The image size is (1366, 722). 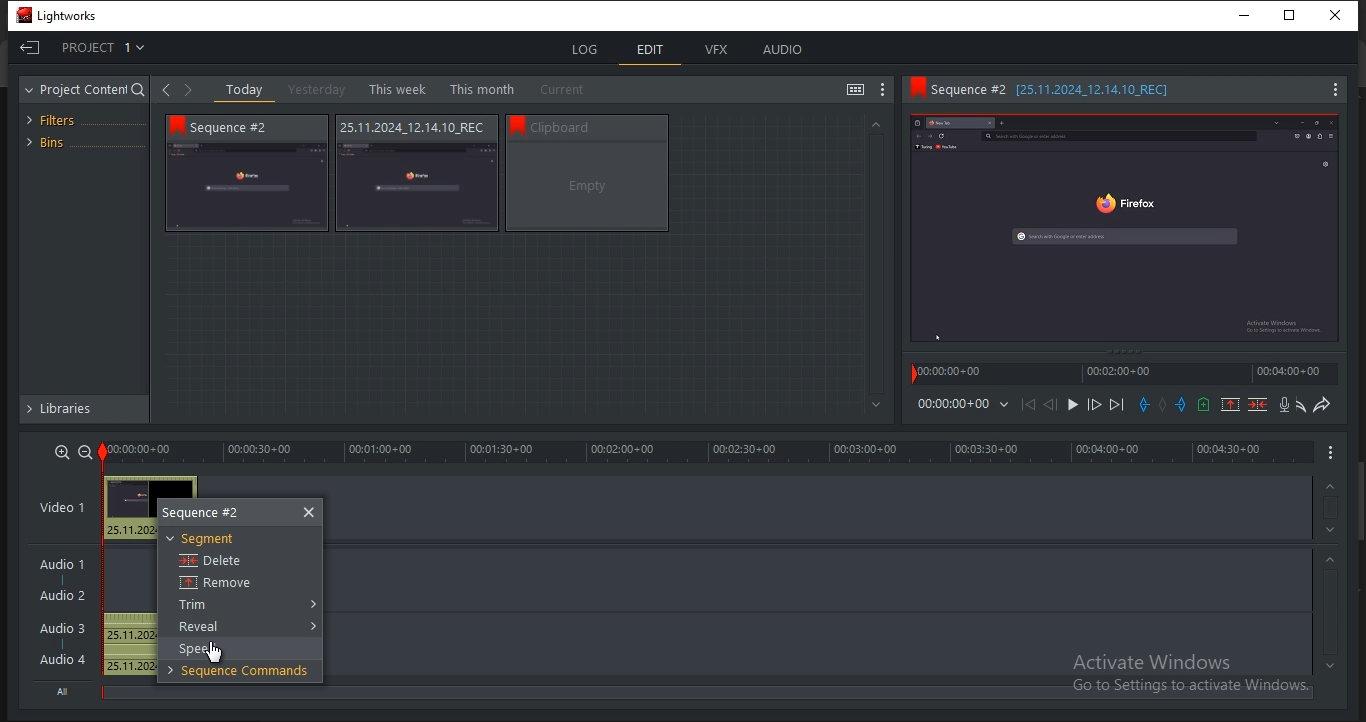 What do you see at coordinates (82, 411) in the screenshot?
I see `libraries` at bounding box center [82, 411].